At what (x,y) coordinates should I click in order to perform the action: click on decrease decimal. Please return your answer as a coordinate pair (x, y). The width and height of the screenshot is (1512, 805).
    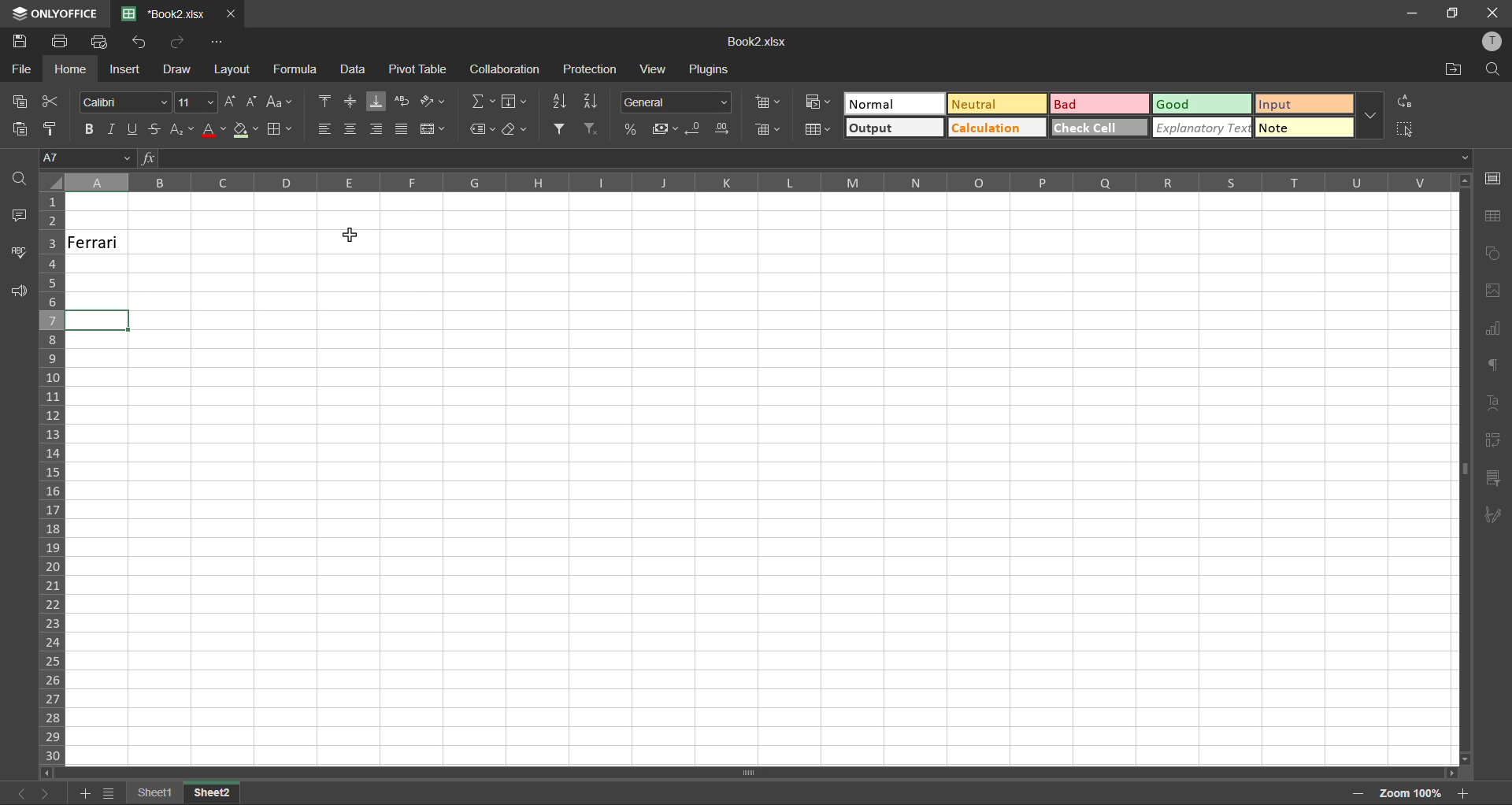
    Looking at the image, I should click on (695, 129).